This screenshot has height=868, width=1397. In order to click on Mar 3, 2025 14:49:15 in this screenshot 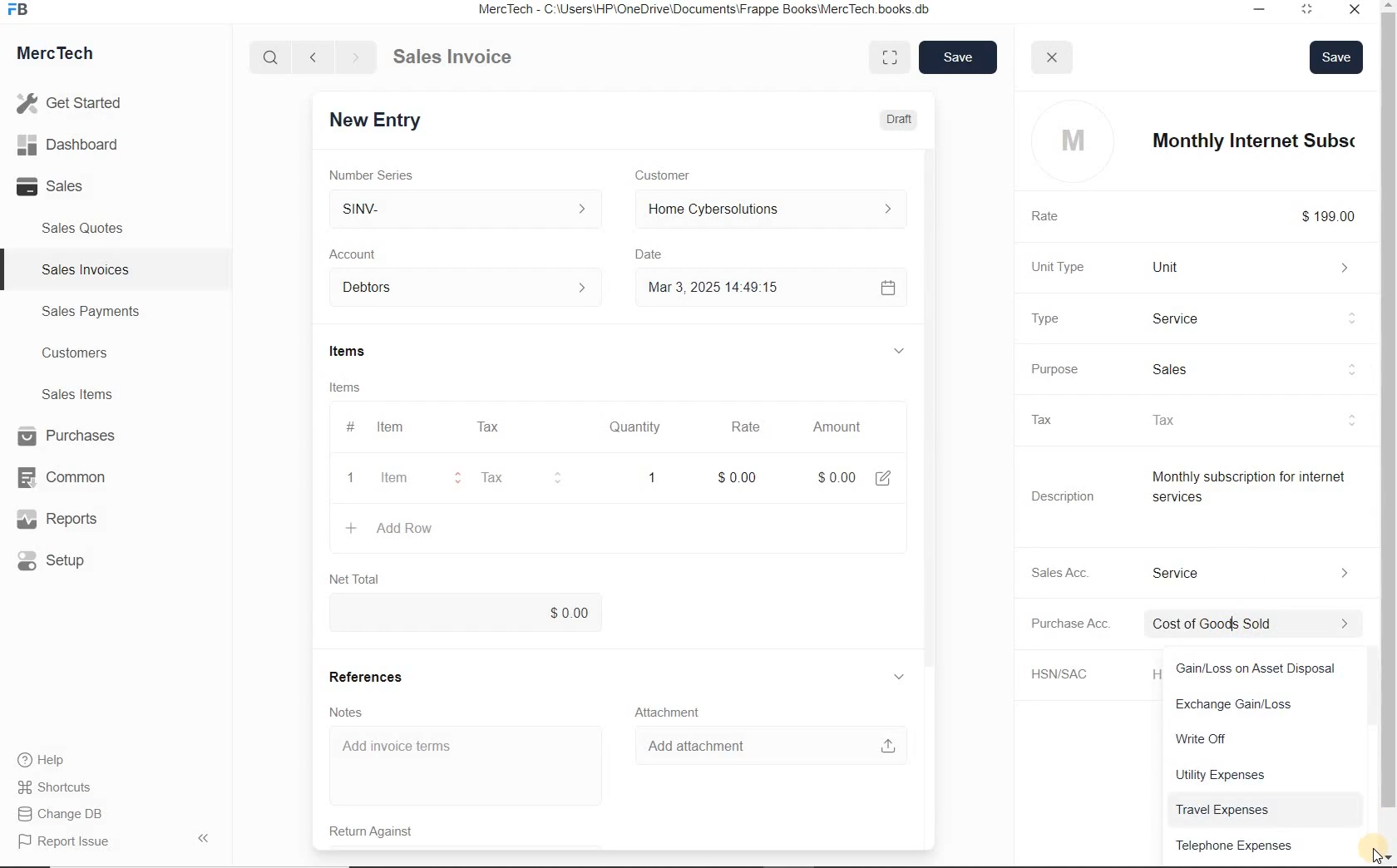, I will do `click(719, 289)`.